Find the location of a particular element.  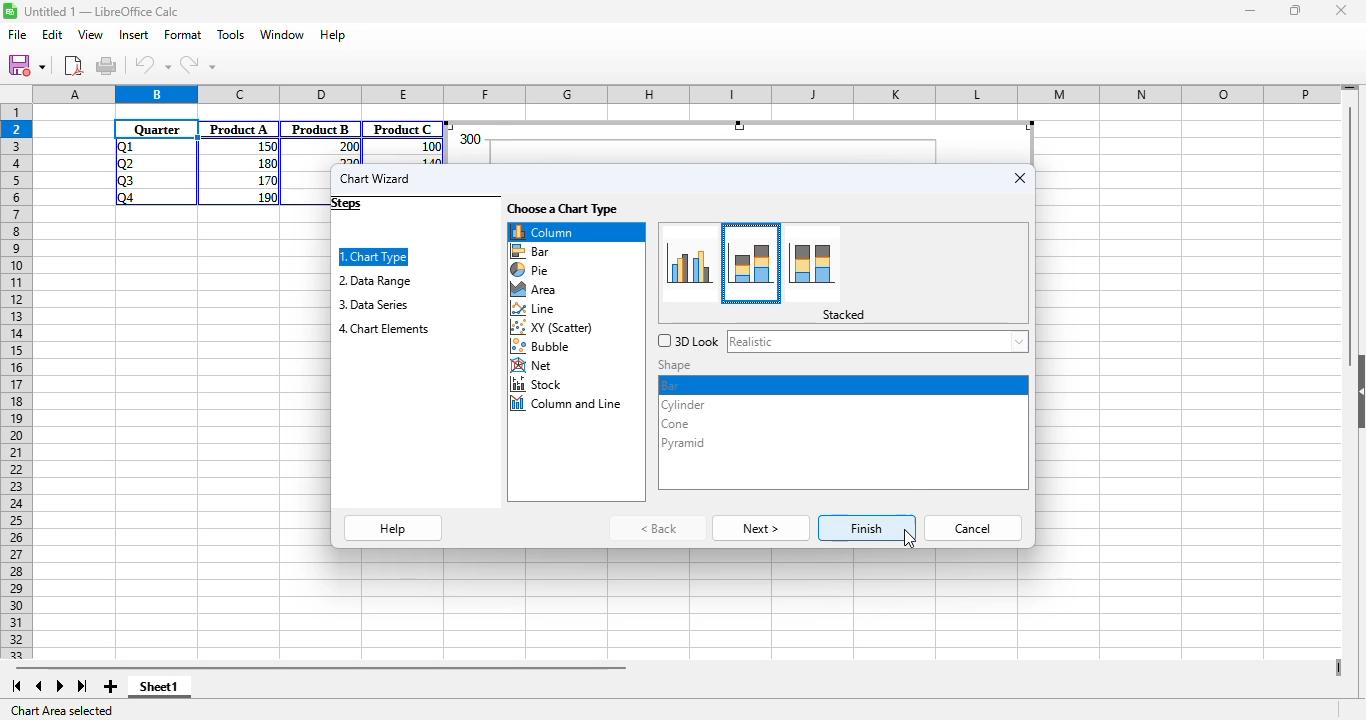

100 is located at coordinates (430, 147).